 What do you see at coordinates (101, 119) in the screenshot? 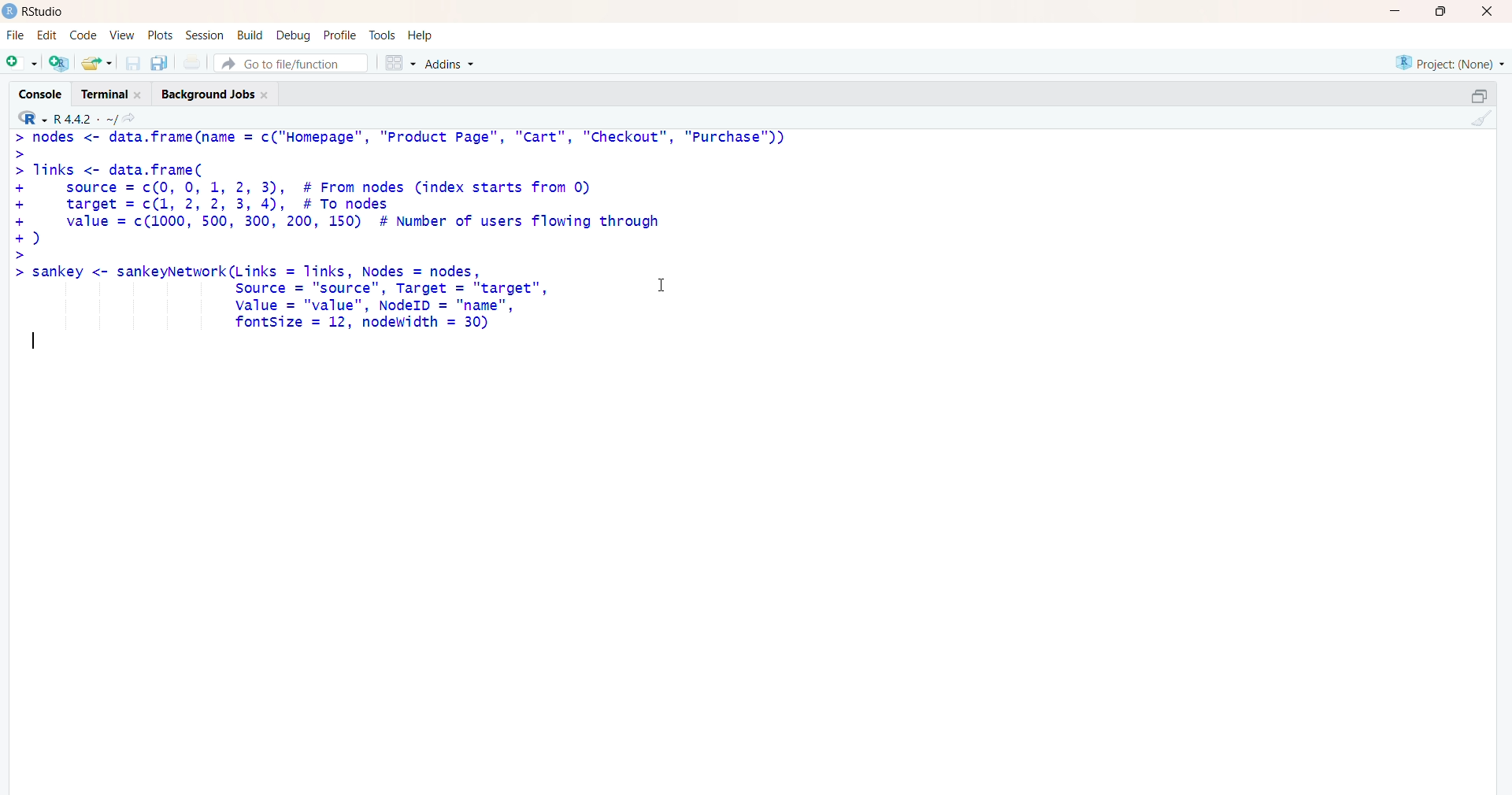
I see `R-R442 - ~/` at bounding box center [101, 119].